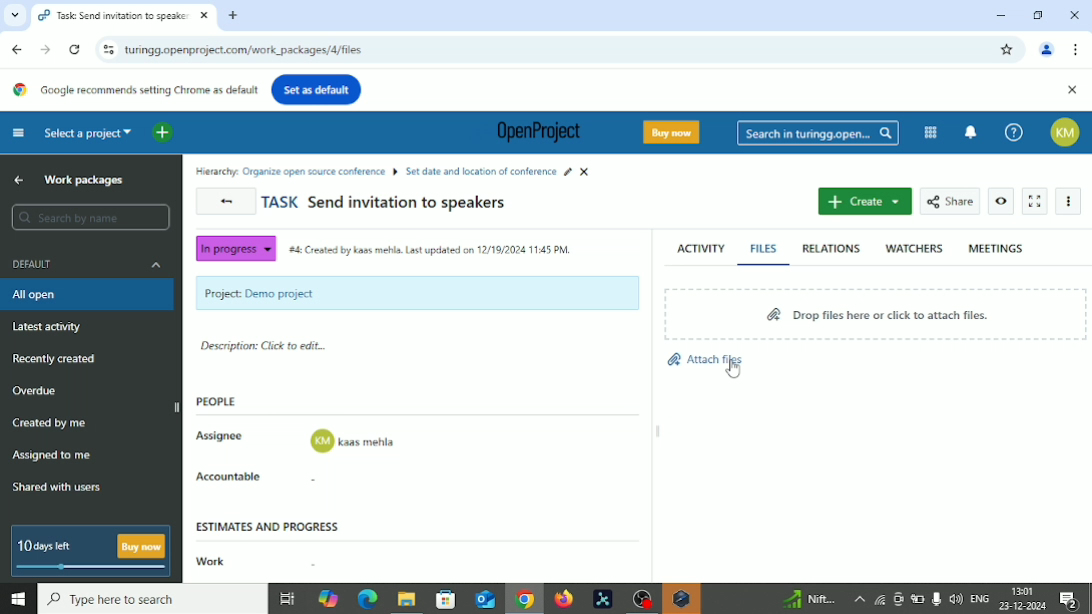 Image resolution: width=1092 pixels, height=614 pixels. Describe the element at coordinates (524, 601) in the screenshot. I see `Google chrome` at that location.